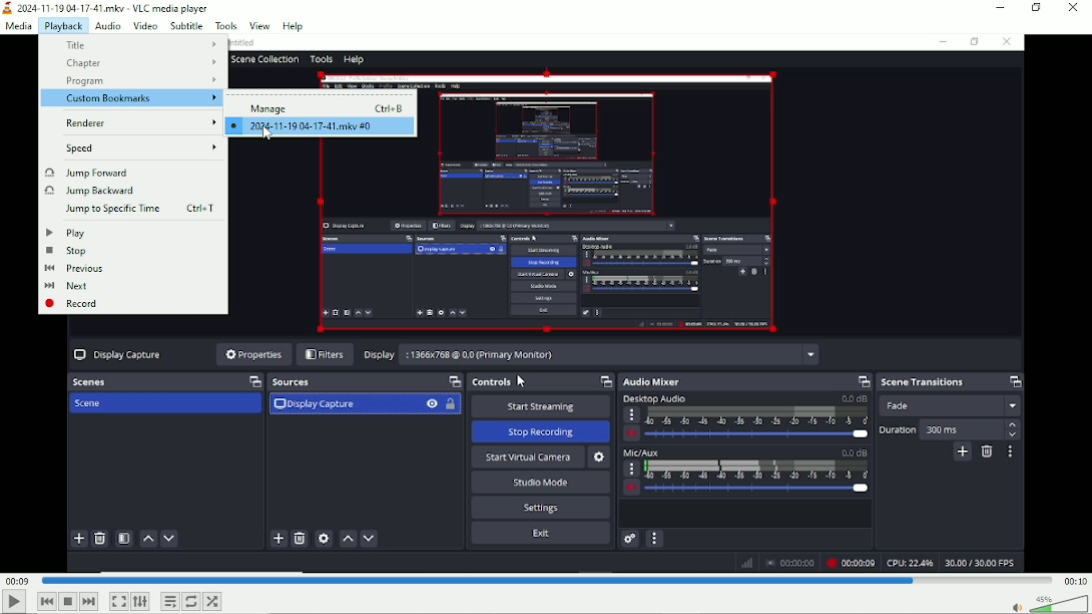 Image resolution: width=1092 pixels, height=614 pixels. What do you see at coordinates (68, 232) in the screenshot?
I see `Play` at bounding box center [68, 232].